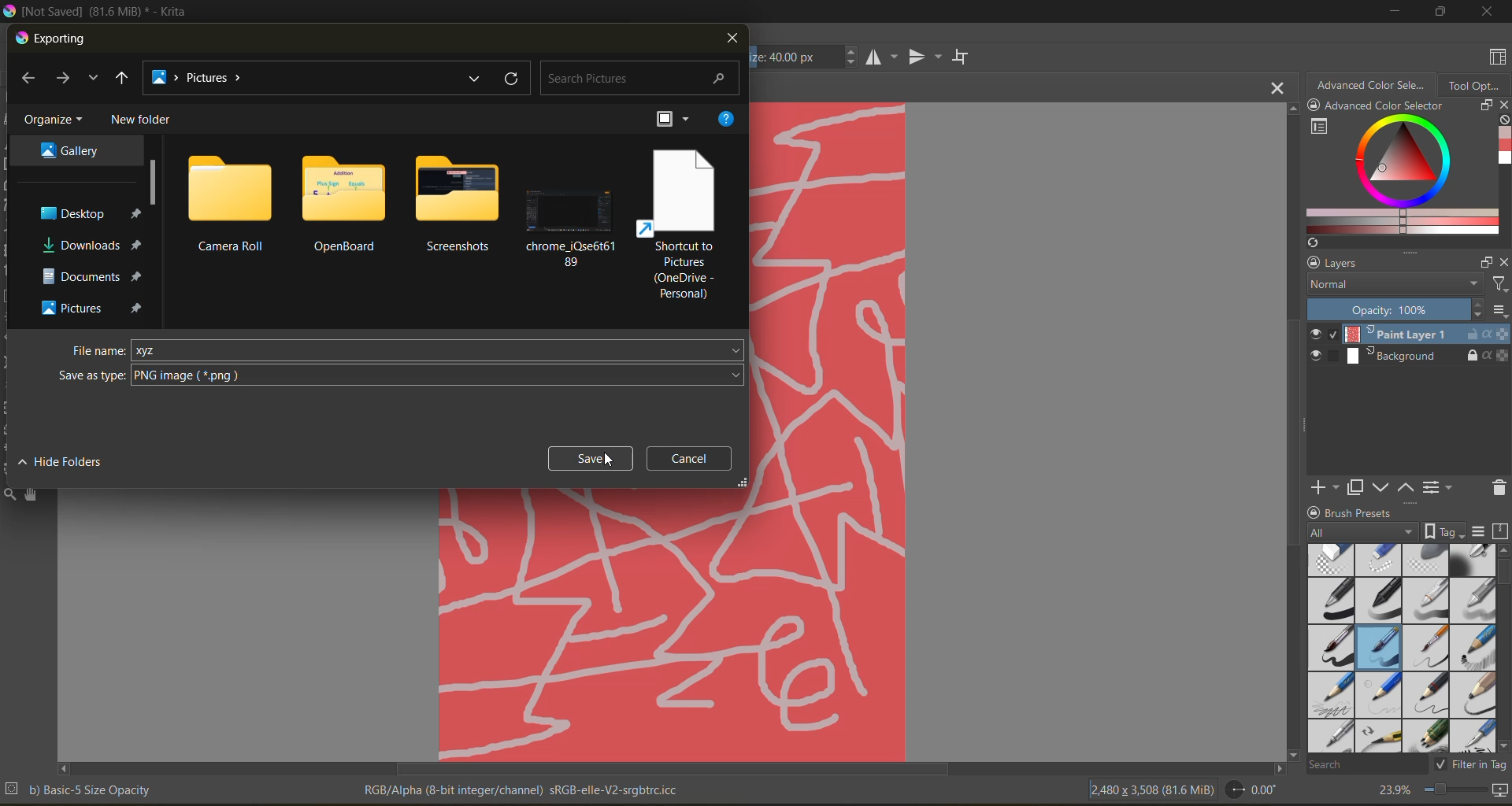  Describe the element at coordinates (1310, 263) in the screenshot. I see `lock/unlock docker` at that location.